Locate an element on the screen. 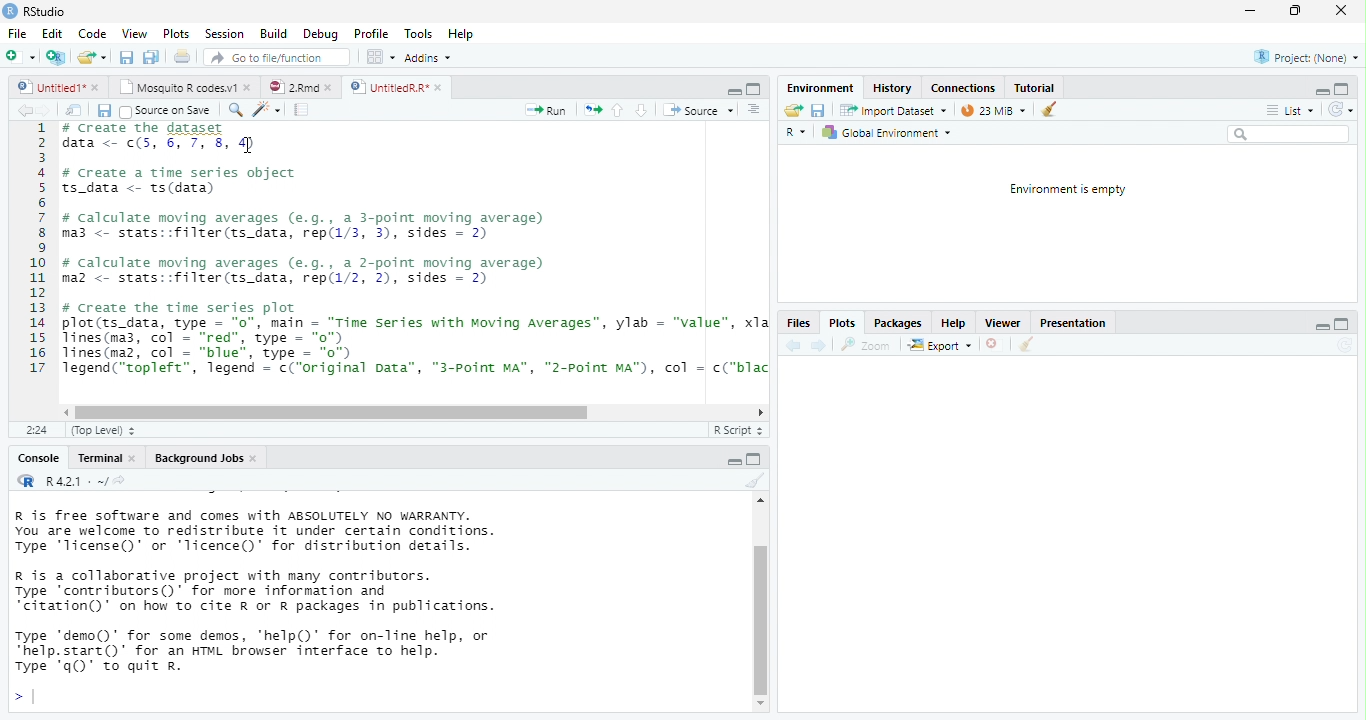 The height and width of the screenshot is (720, 1366). save current document is located at coordinates (819, 111).